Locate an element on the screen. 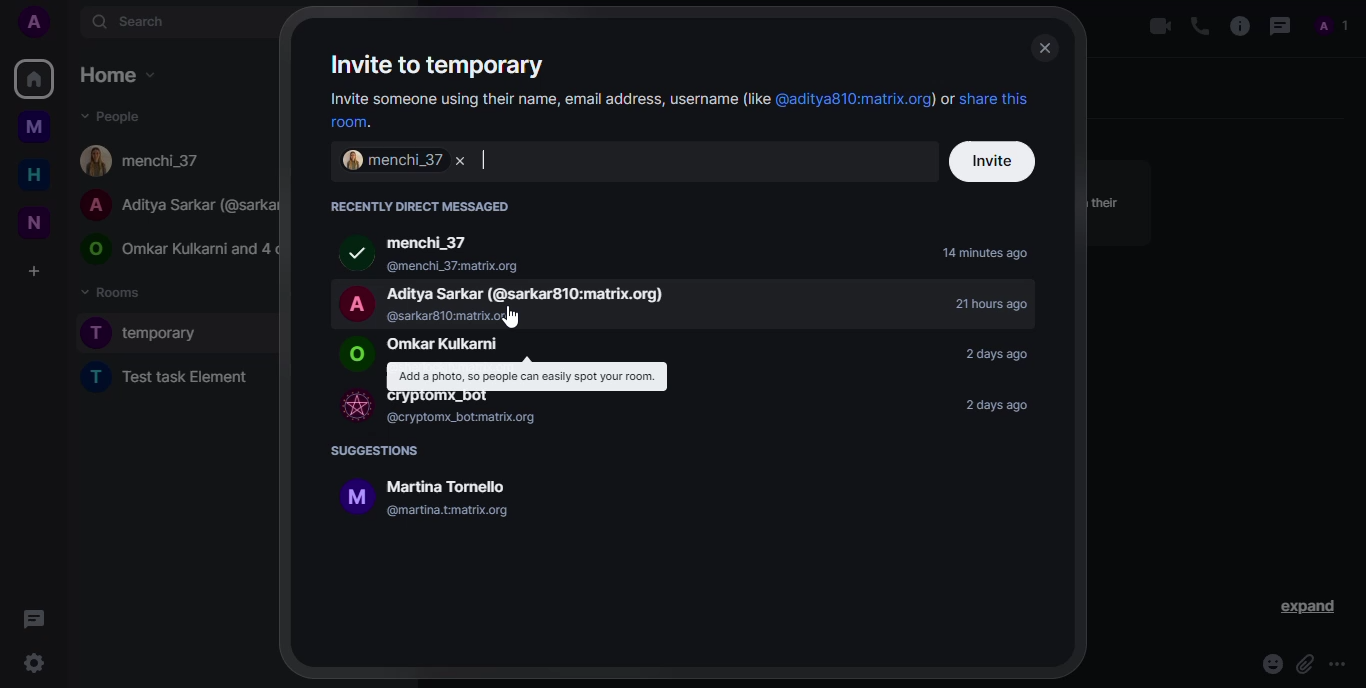 The height and width of the screenshot is (688, 1366). close is located at coordinates (1044, 46).